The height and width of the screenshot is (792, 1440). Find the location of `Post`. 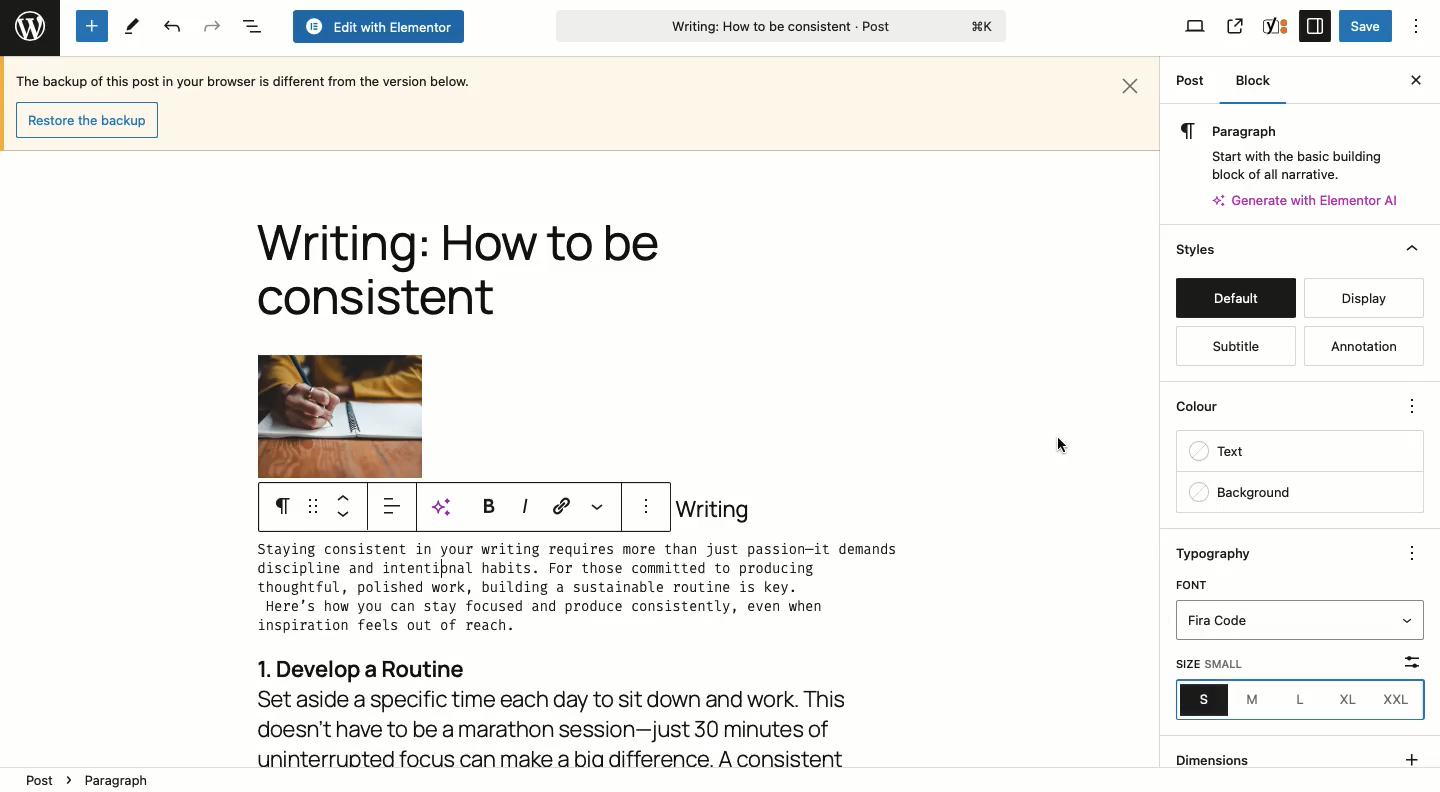

Post is located at coordinates (37, 780).